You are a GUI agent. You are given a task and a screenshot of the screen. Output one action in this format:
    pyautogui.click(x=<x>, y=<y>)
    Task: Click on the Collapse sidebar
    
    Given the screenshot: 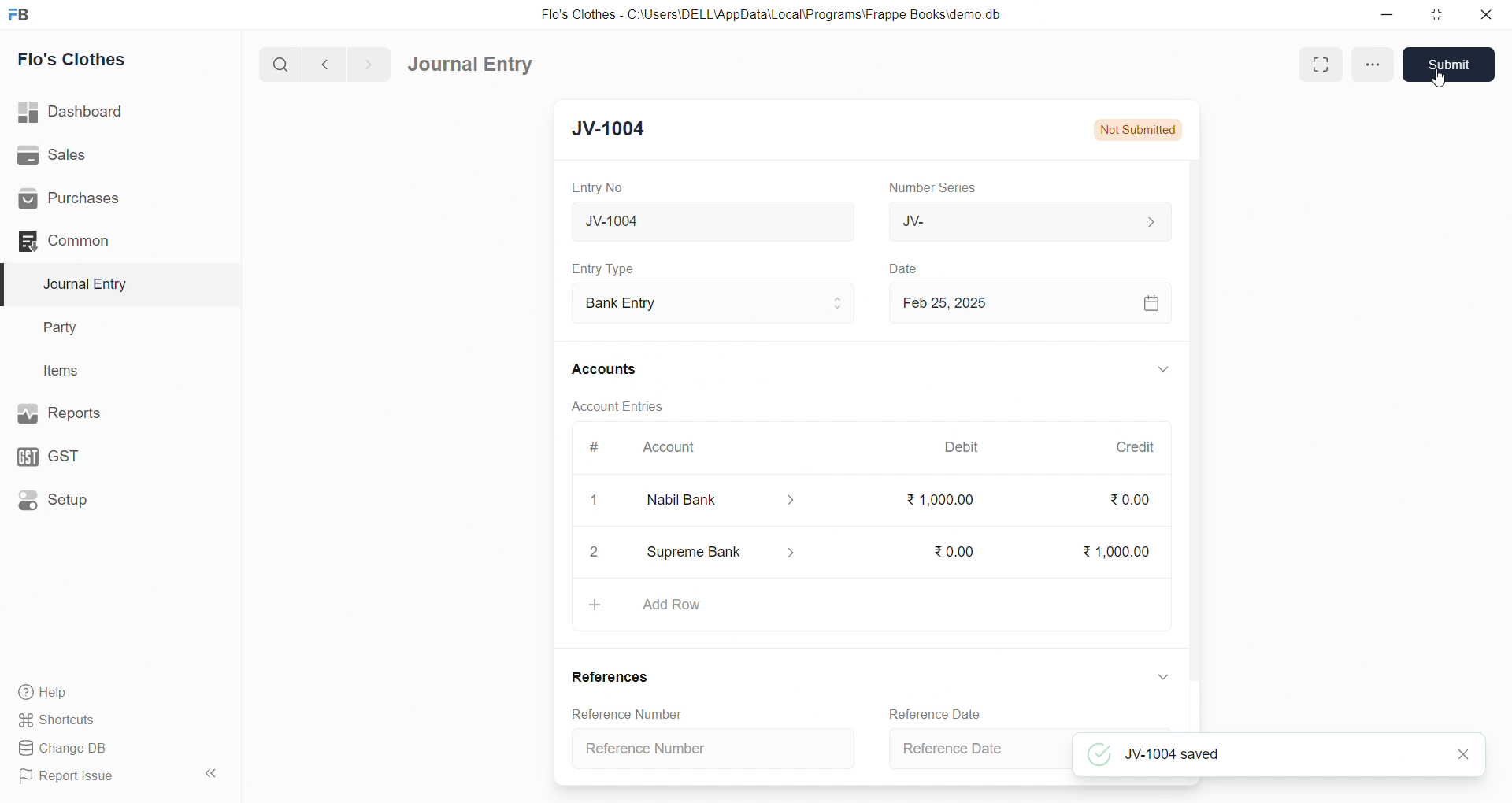 What is the action you would take?
    pyautogui.click(x=213, y=776)
    